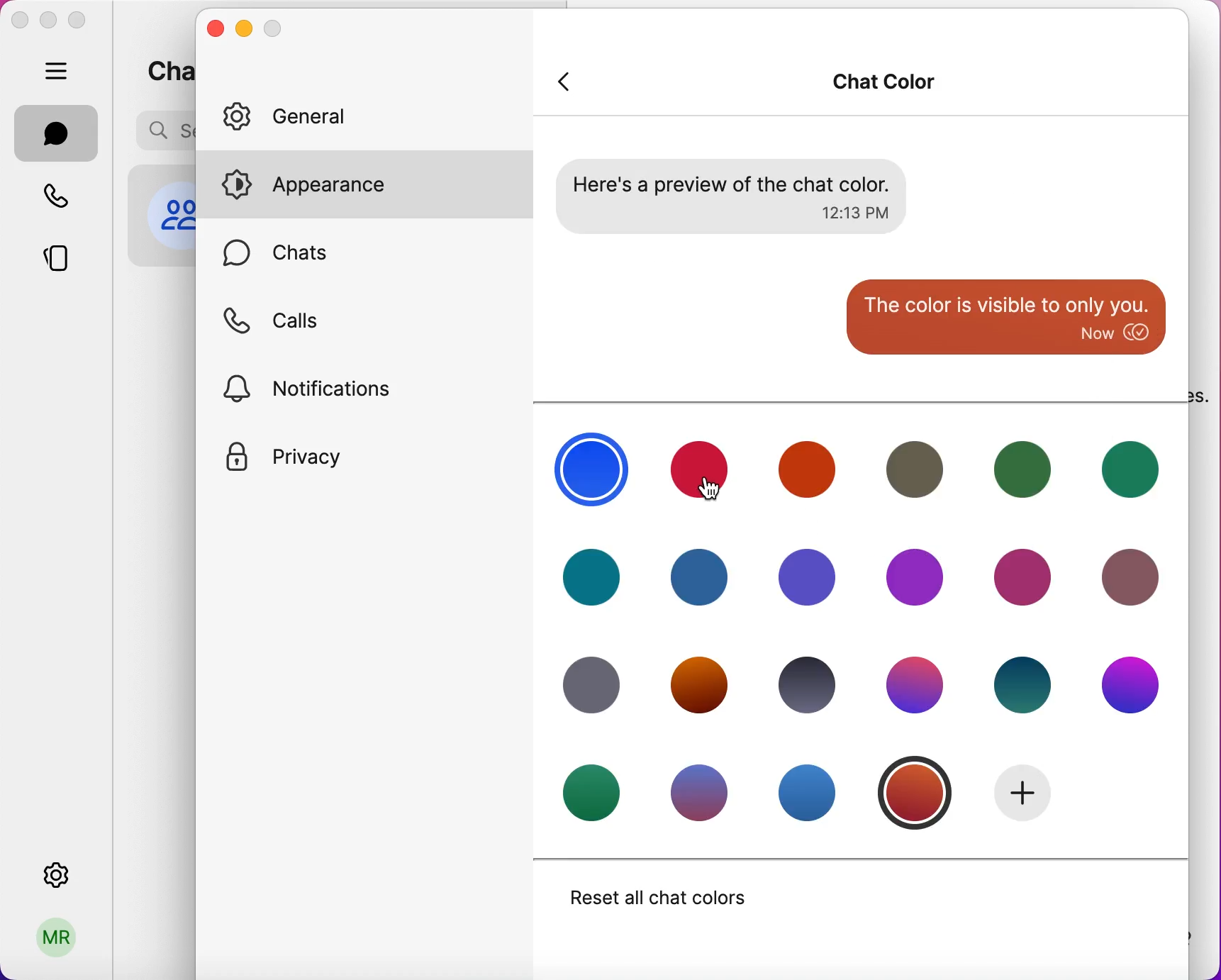 The height and width of the screenshot is (980, 1221). I want to click on close, so click(217, 29).